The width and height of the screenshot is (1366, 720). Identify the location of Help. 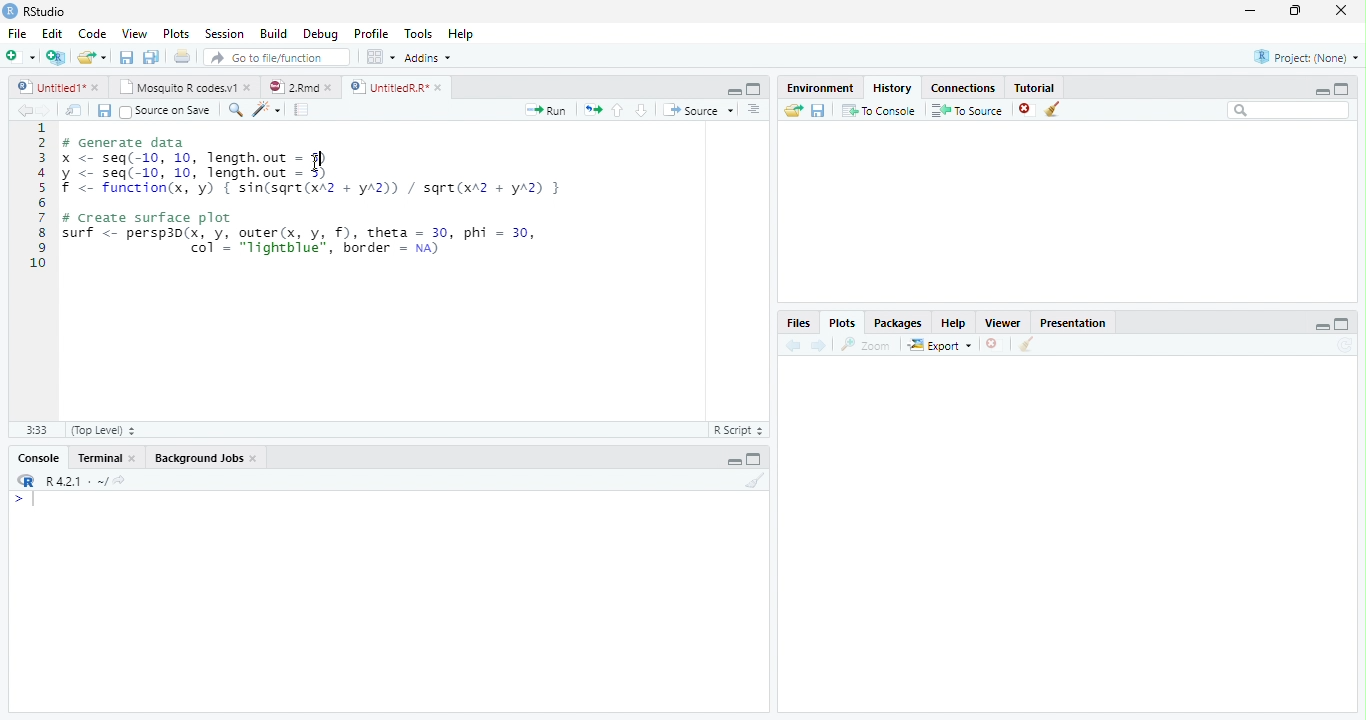
(954, 322).